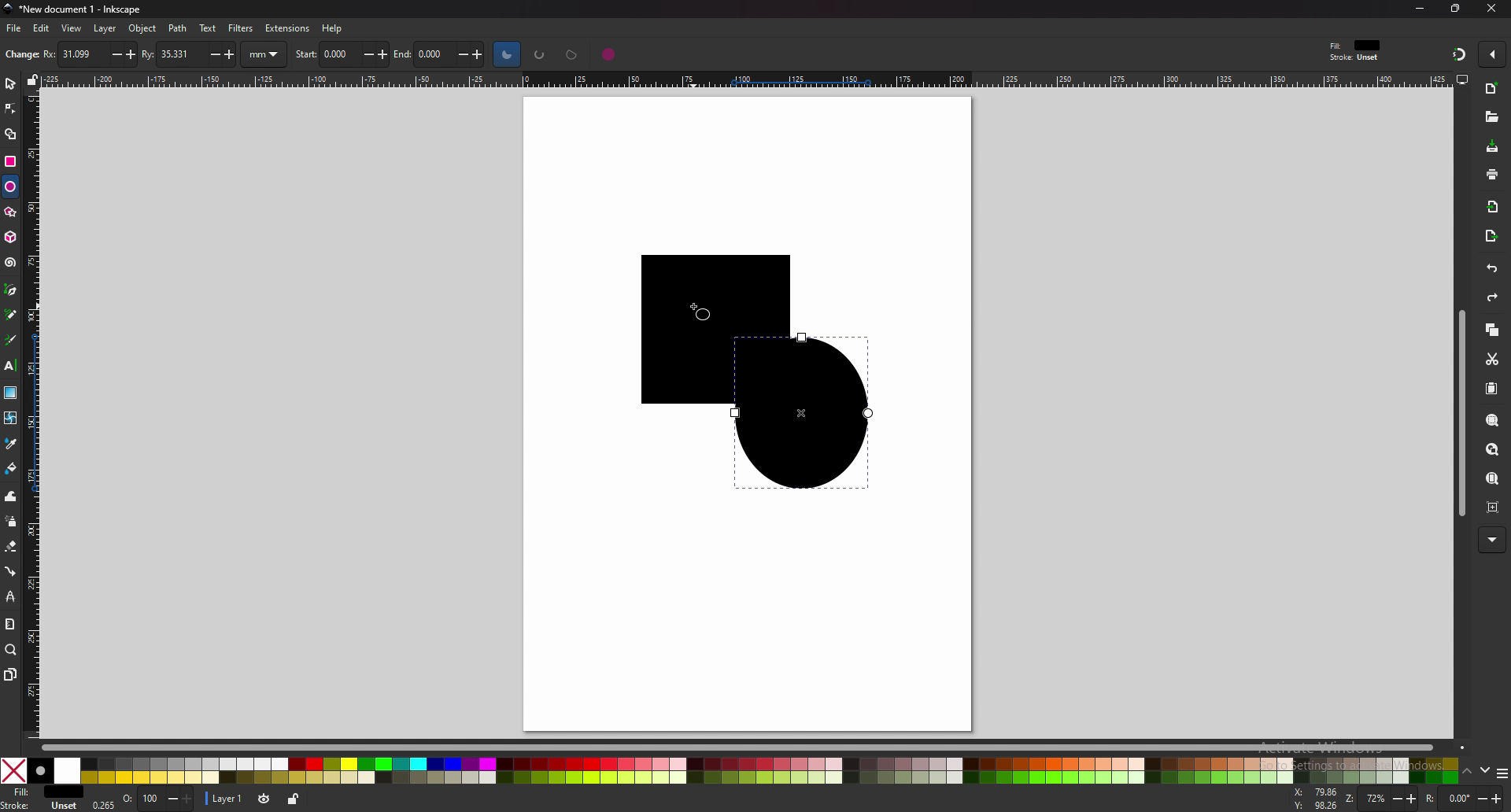  What do you see at coordinates (1421, 8) in the screenshot?
I see `minimize` at bounding box center [1421, 8].